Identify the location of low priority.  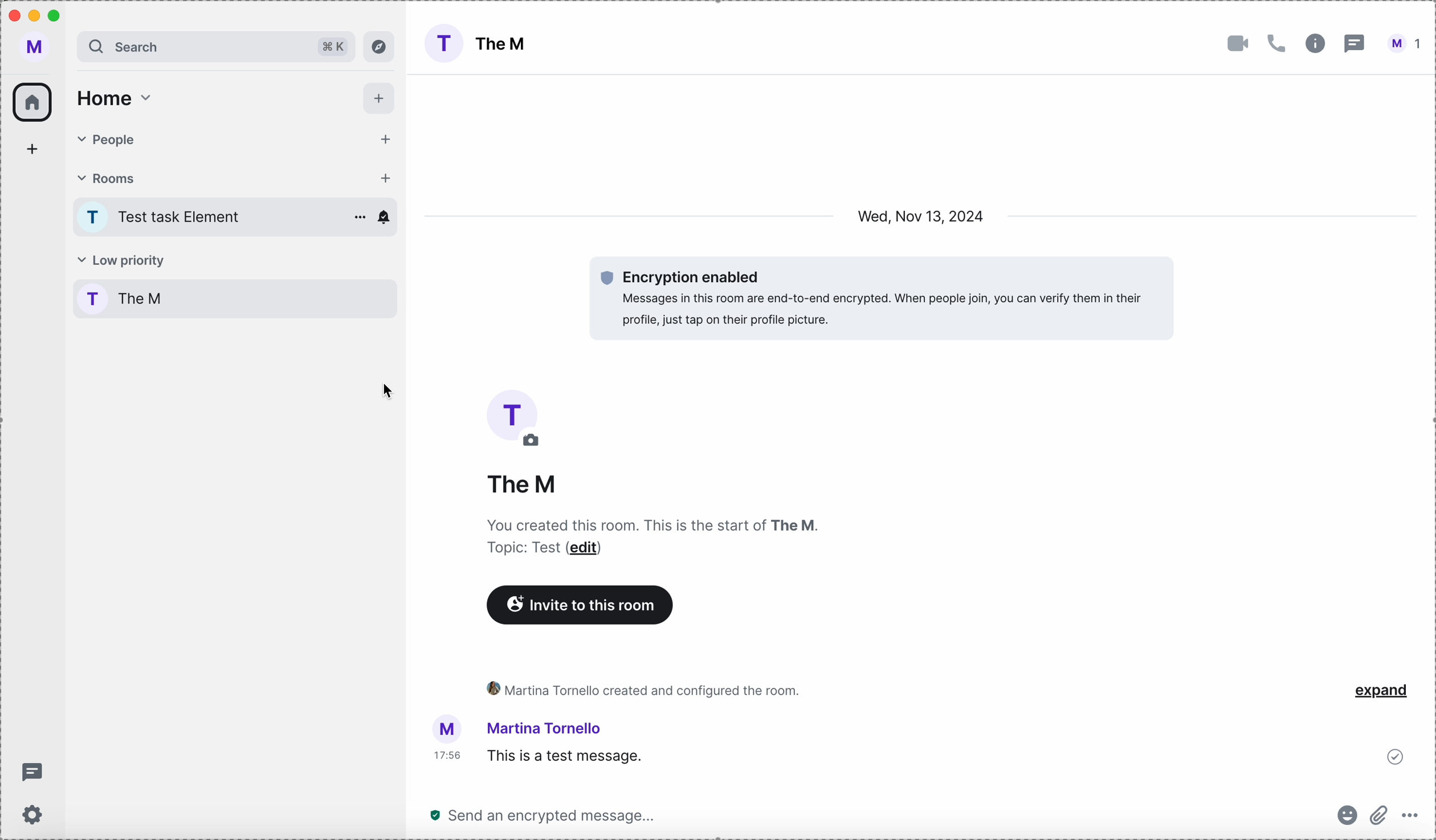
(121, 261).